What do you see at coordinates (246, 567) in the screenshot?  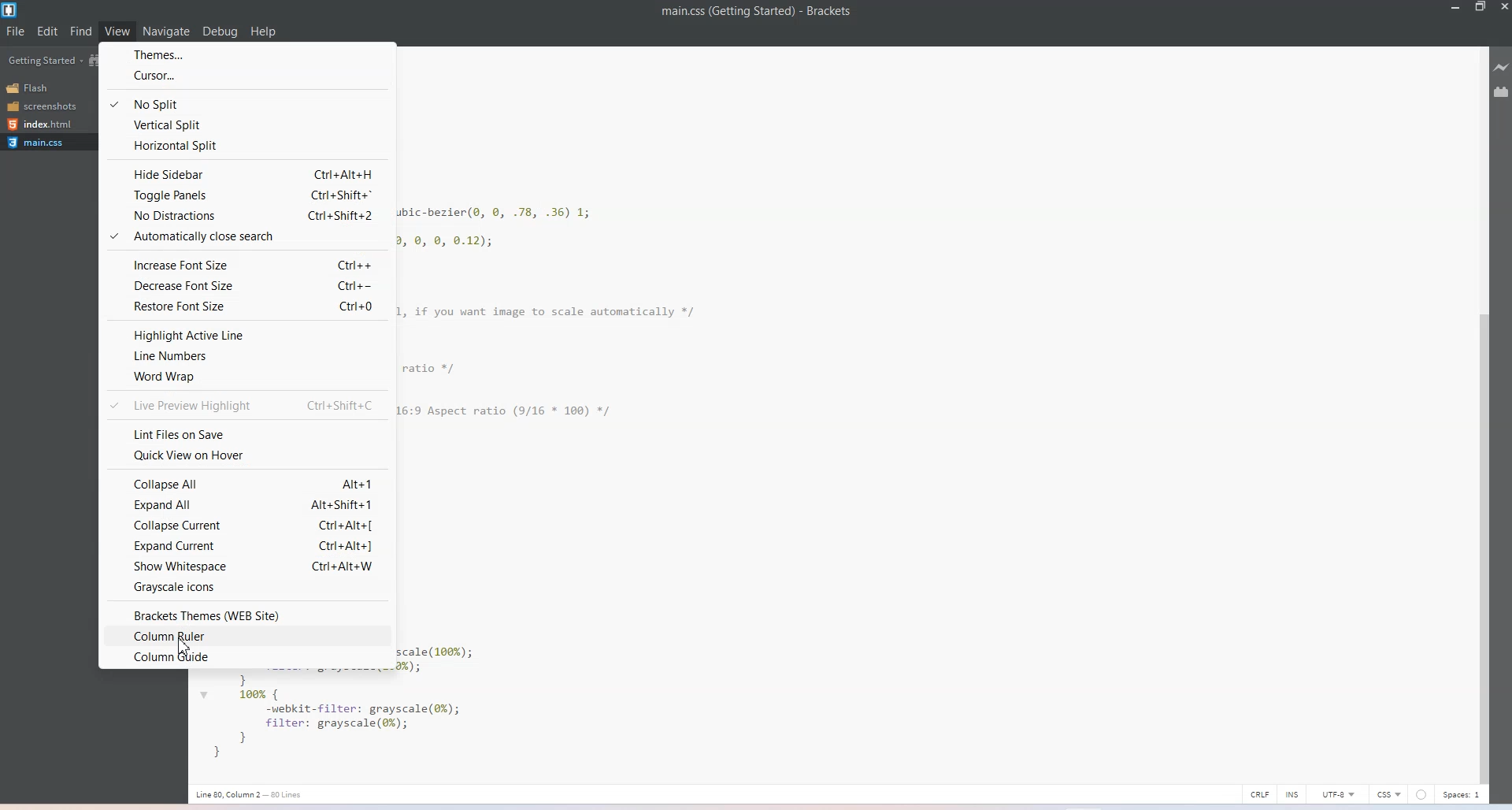 I see `Show White space` at bounding box center [246, 567].